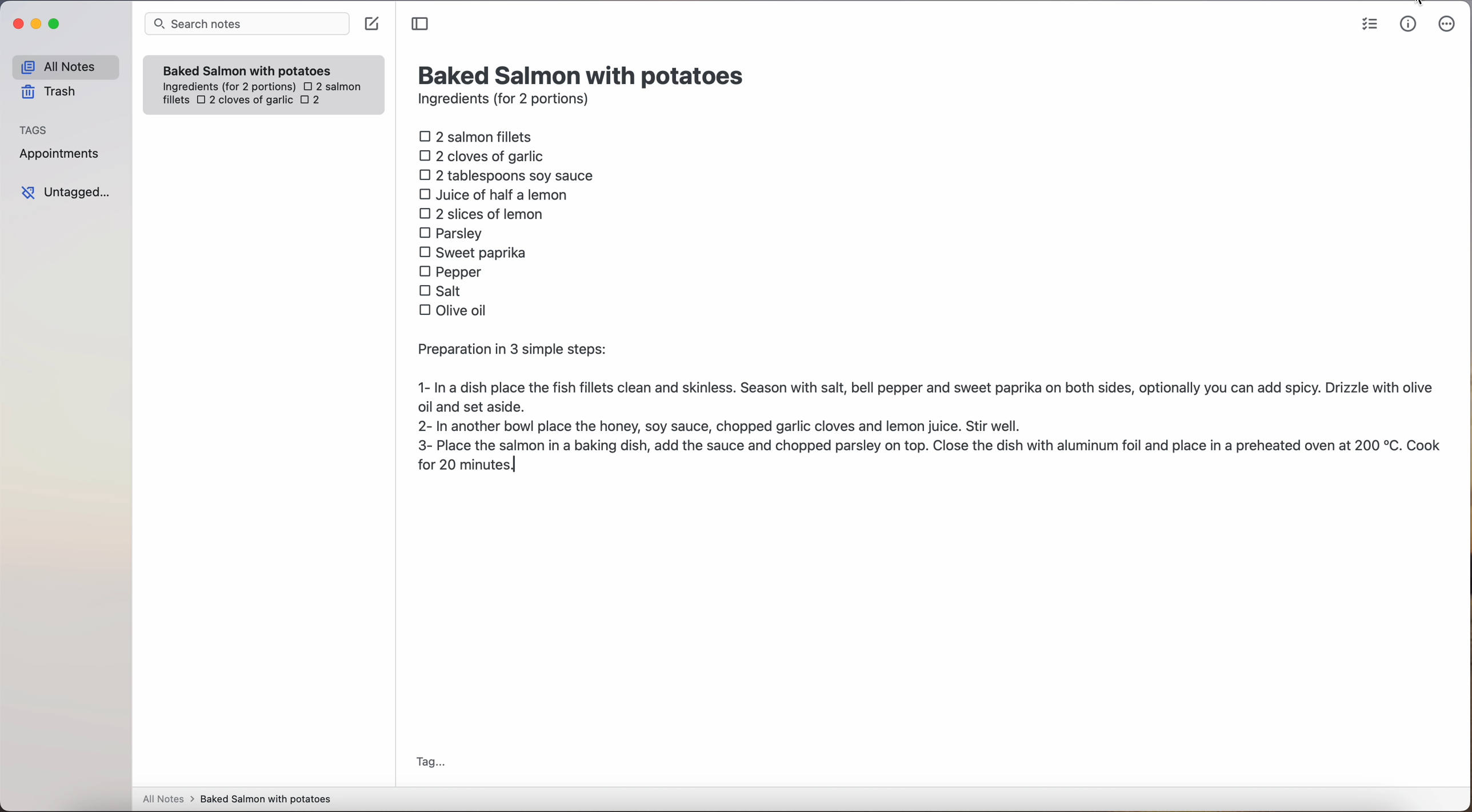 The height and width of the screenshot is (812, 1472). Describe the element at coordinates (1370, 25) in the screenshot. I see `check list` at that location.